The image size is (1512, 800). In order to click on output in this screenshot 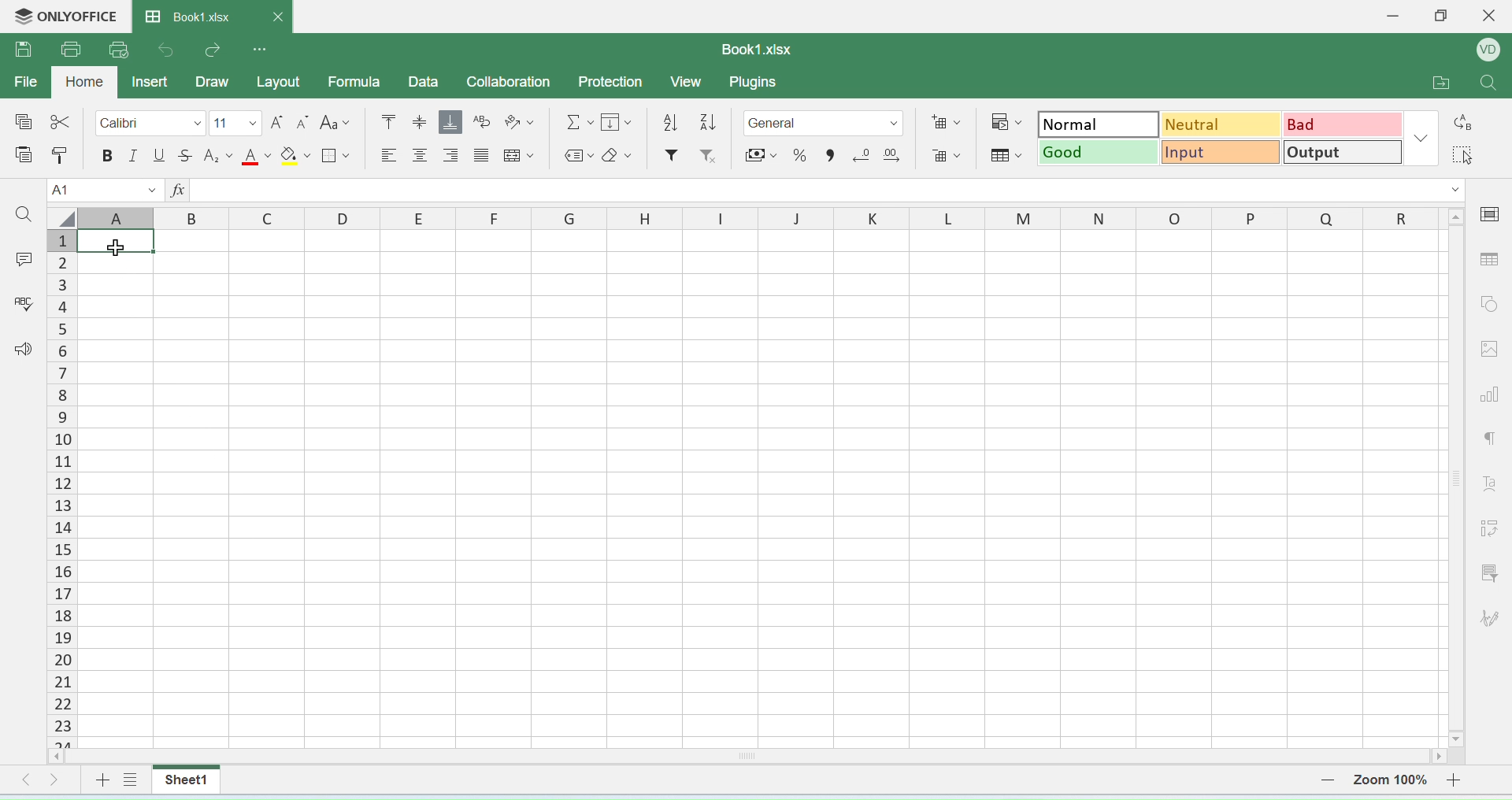, I will do `click(1343, 152)`.